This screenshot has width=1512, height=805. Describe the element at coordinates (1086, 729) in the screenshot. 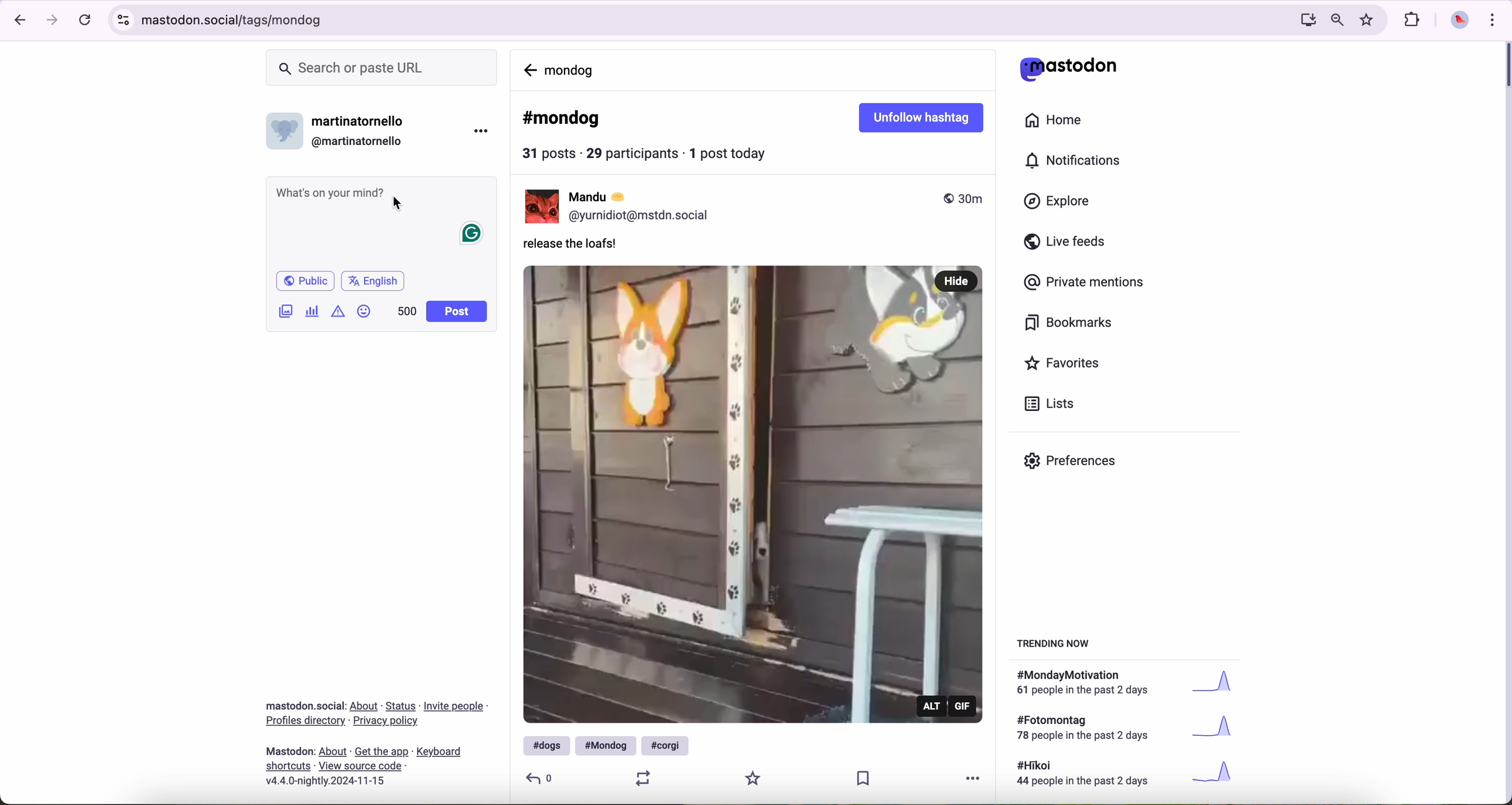

I see `text` at that location.